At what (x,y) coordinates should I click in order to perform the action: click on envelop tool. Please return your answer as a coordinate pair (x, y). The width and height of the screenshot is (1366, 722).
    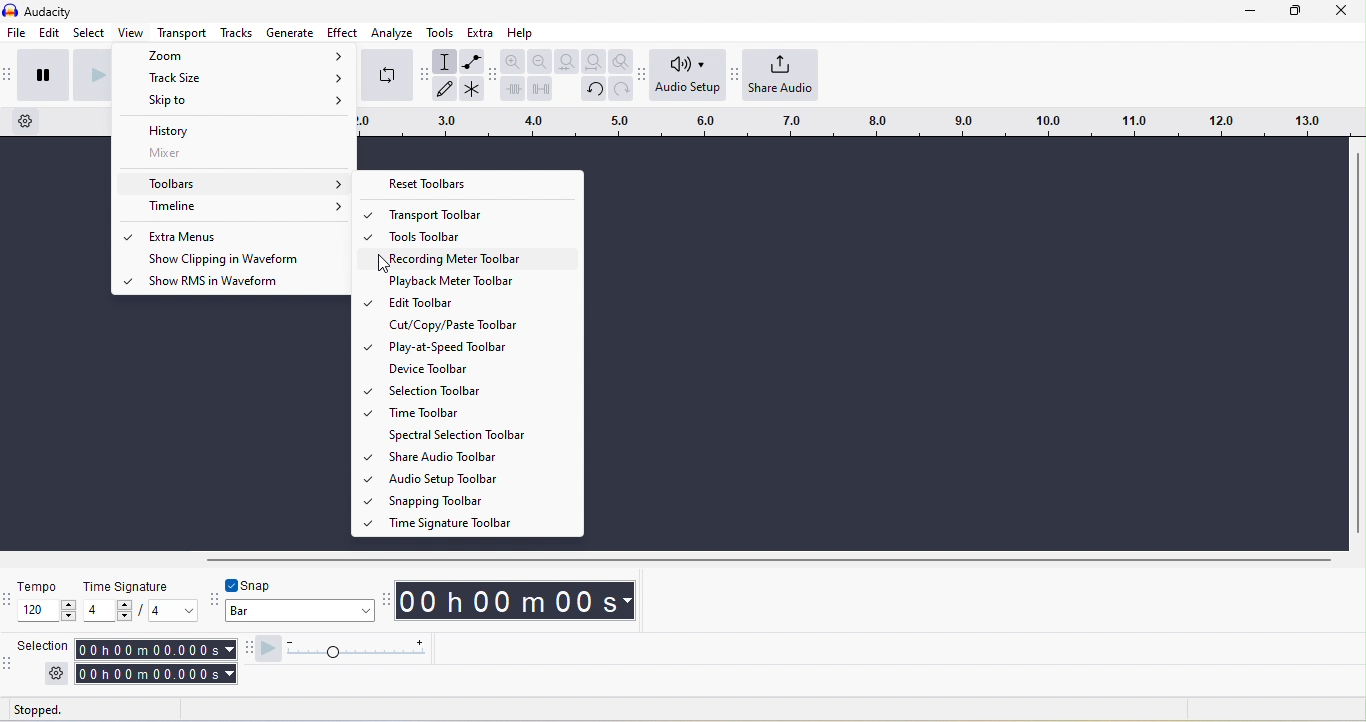
    Looking at the image, I should click on (473, 61).